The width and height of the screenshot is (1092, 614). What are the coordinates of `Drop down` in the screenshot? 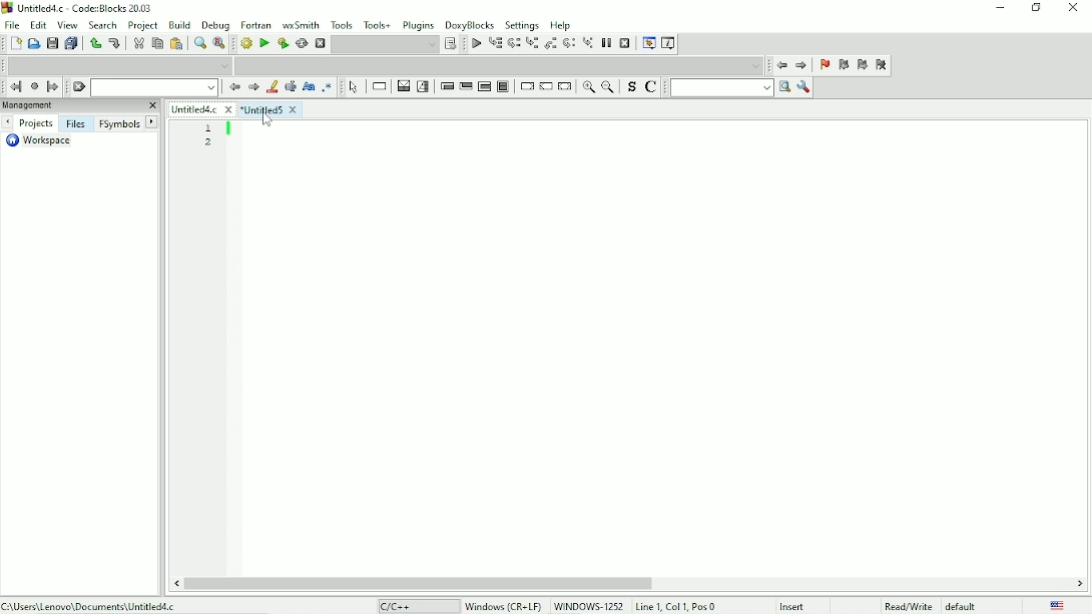 It's located at (119, 66).